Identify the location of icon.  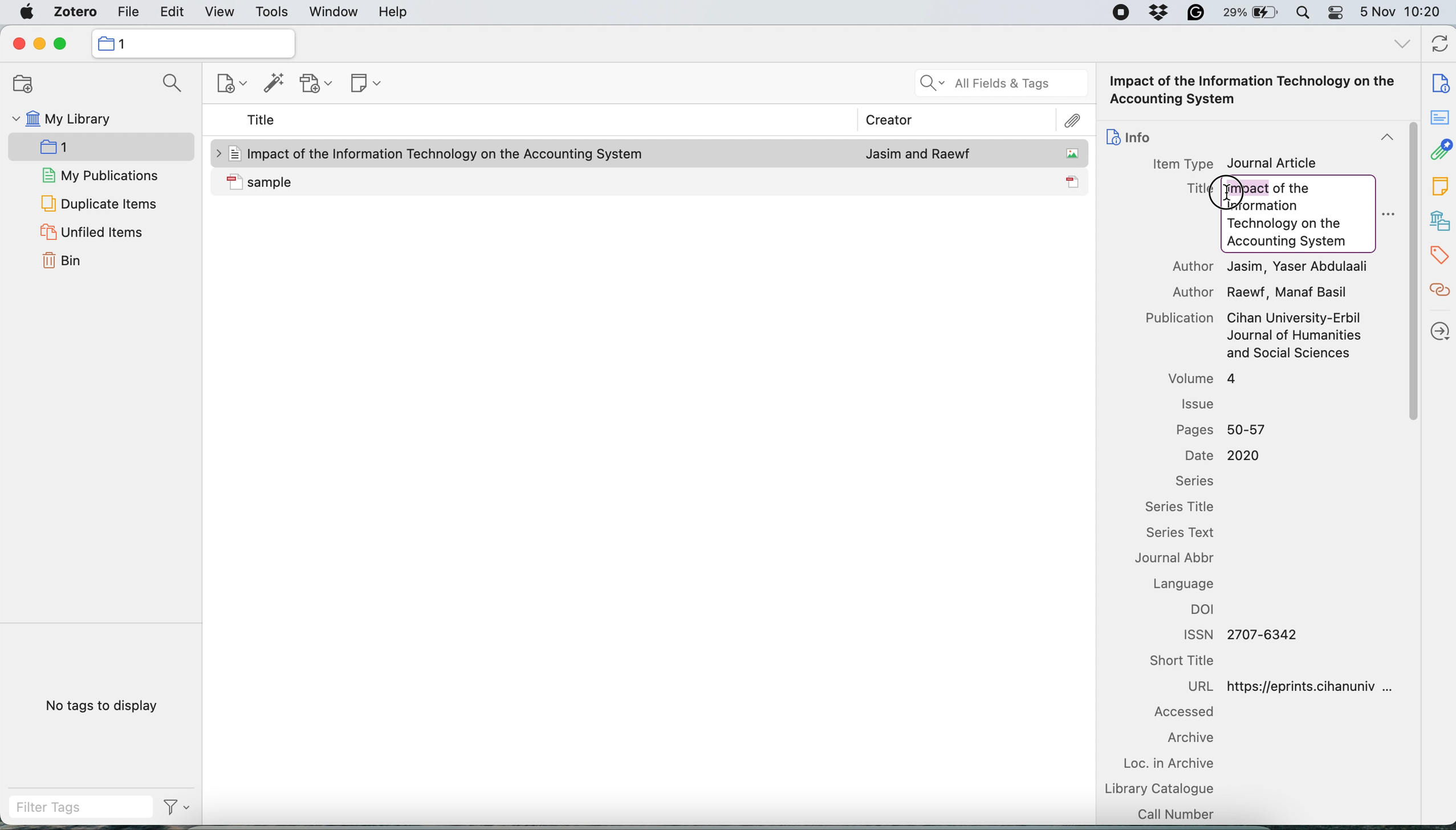
(105, 43).